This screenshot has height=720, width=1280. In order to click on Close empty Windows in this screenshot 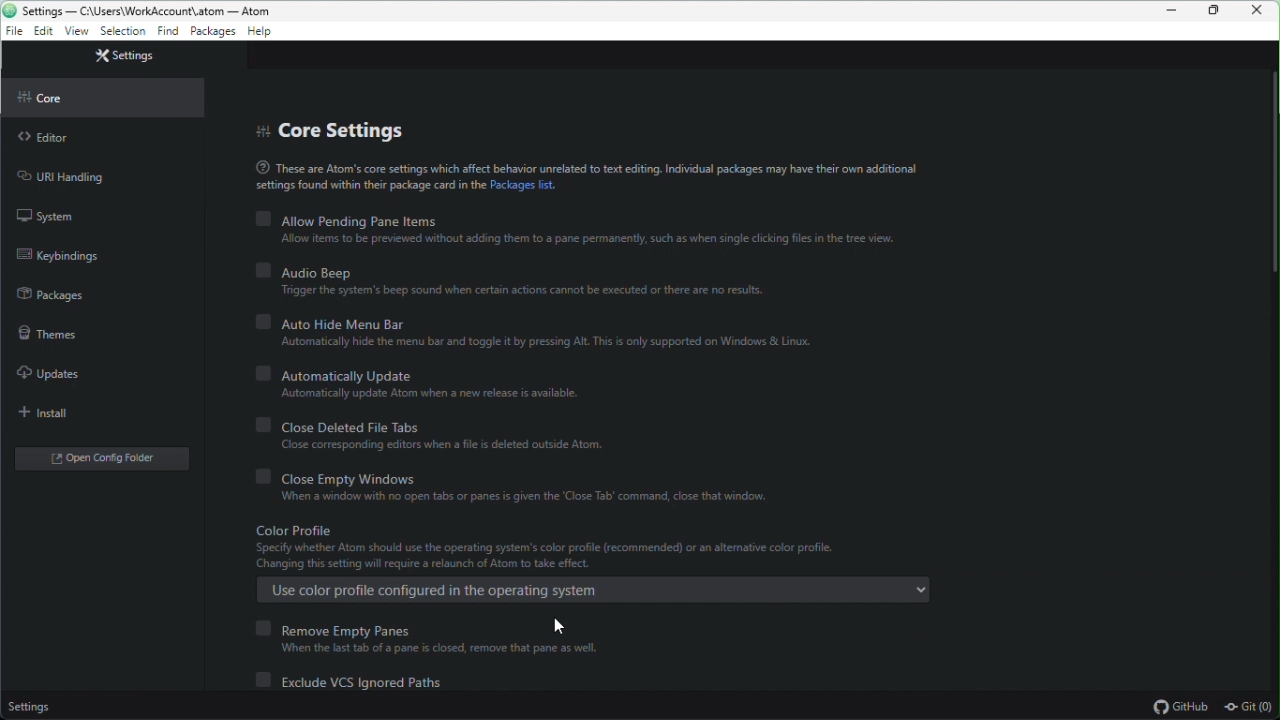, I will do `click(512, 489)`.